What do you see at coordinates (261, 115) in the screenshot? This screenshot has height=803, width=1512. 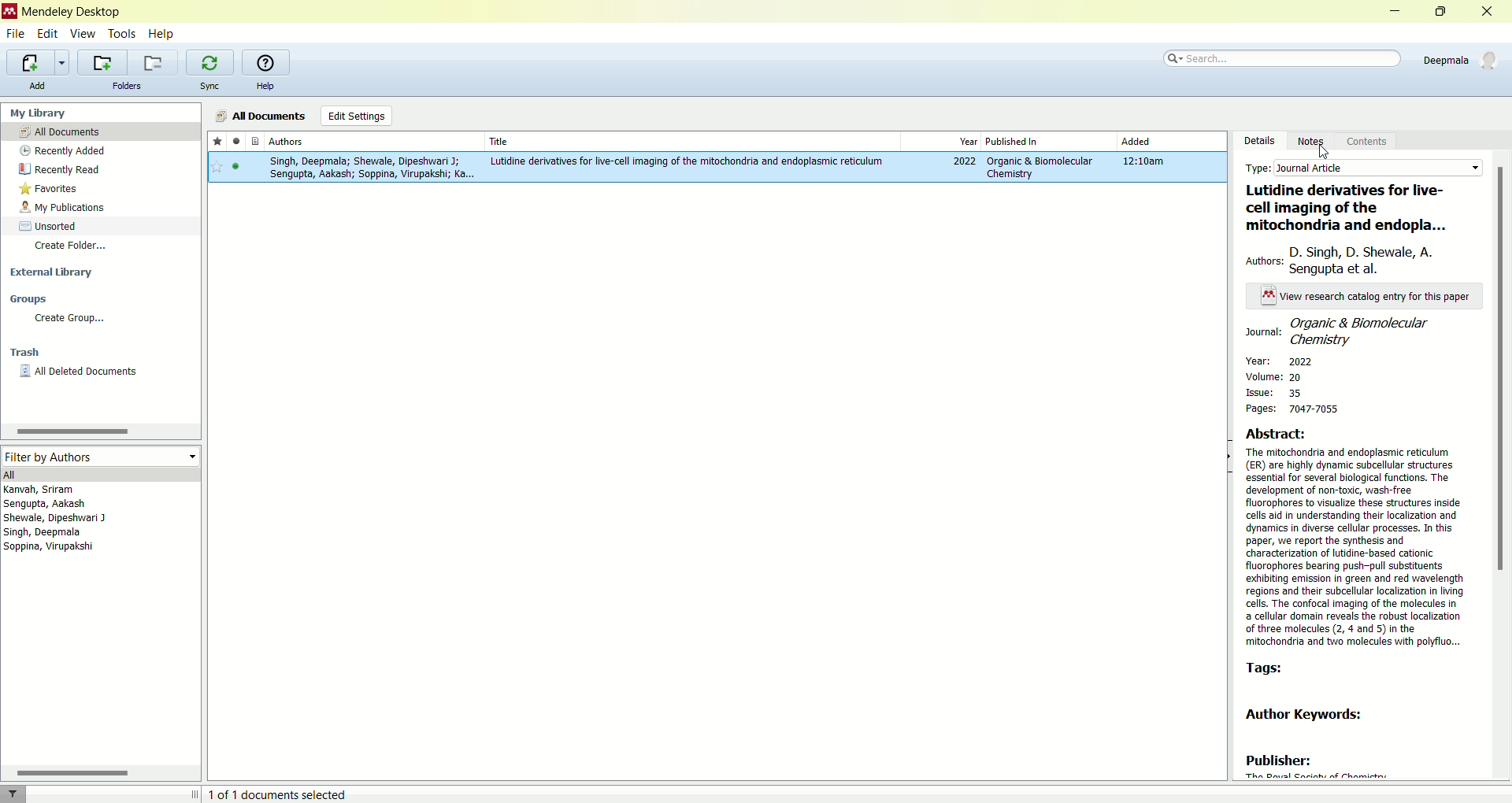 I see `all documnets` at bounding box center [261, 115].